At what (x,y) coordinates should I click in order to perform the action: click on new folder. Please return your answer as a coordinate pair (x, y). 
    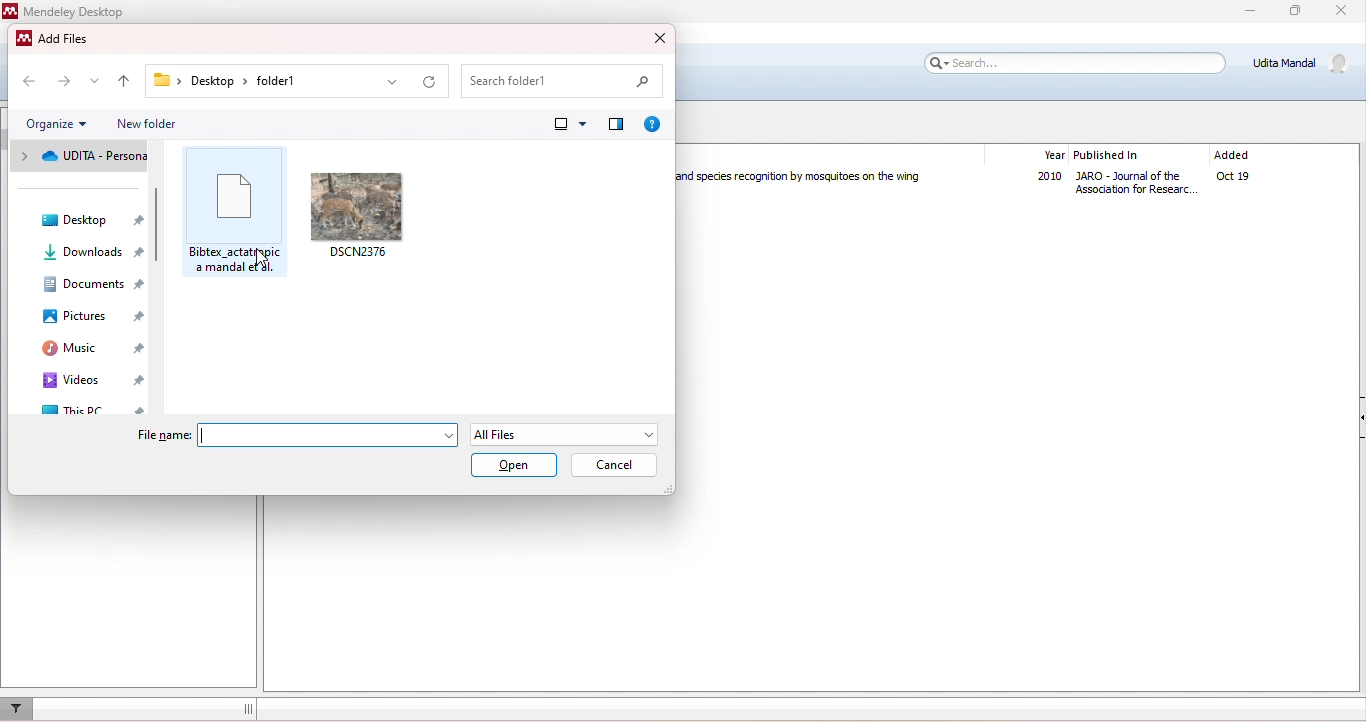
    Looking at the image, I should click on (149, 124).